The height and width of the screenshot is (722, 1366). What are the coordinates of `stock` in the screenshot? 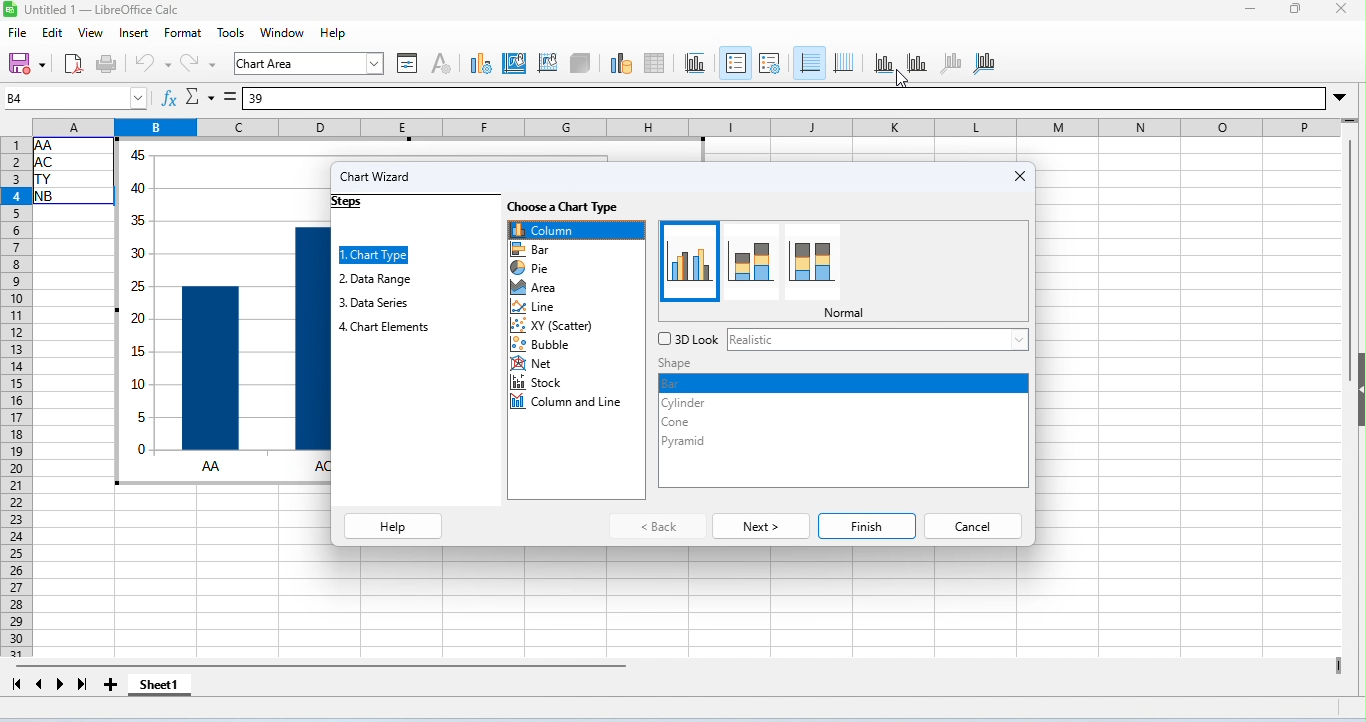 It's located at (538, 383).